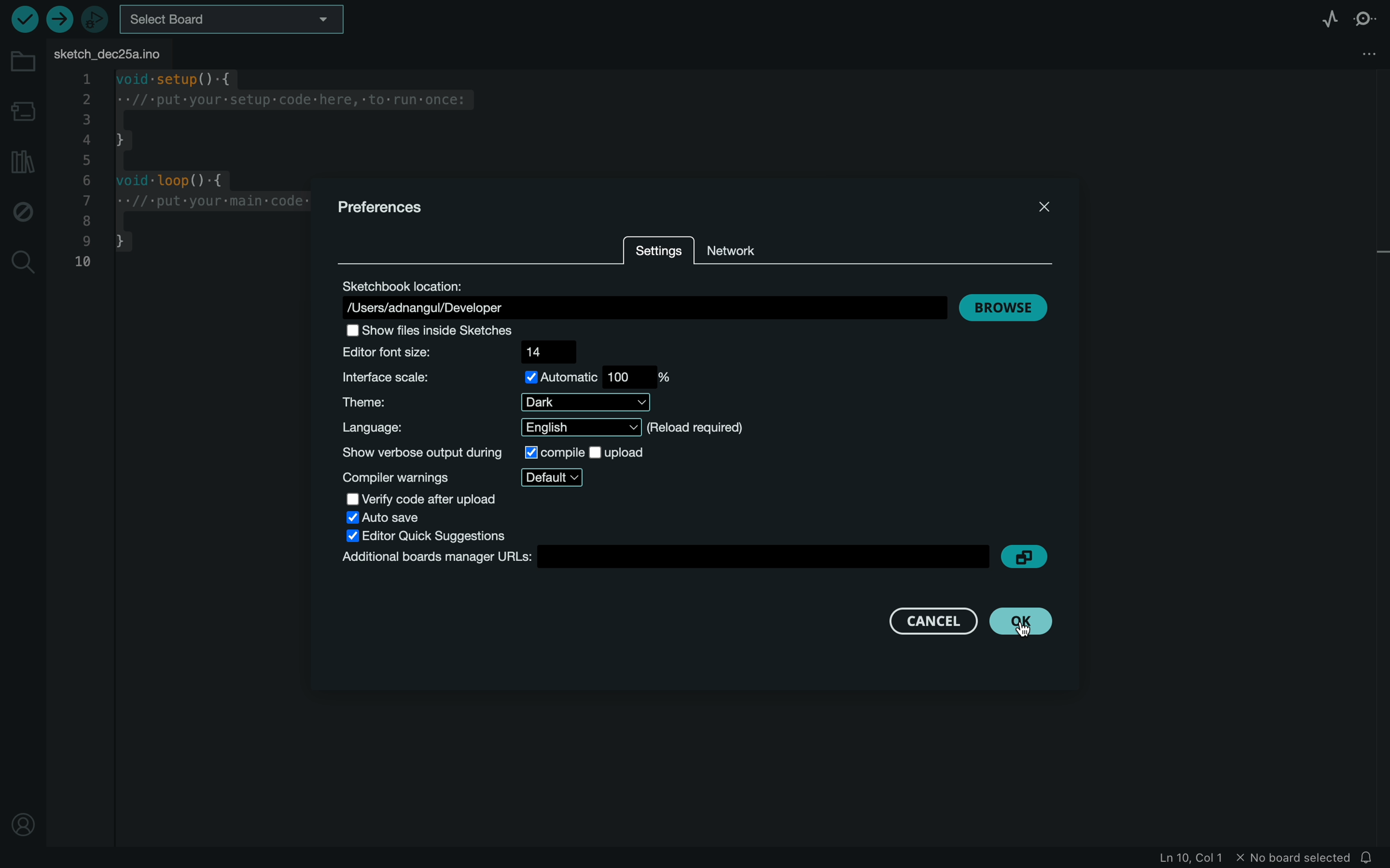 The image size is (1390, 868). I want to click on auto  save, so click(403, 518).